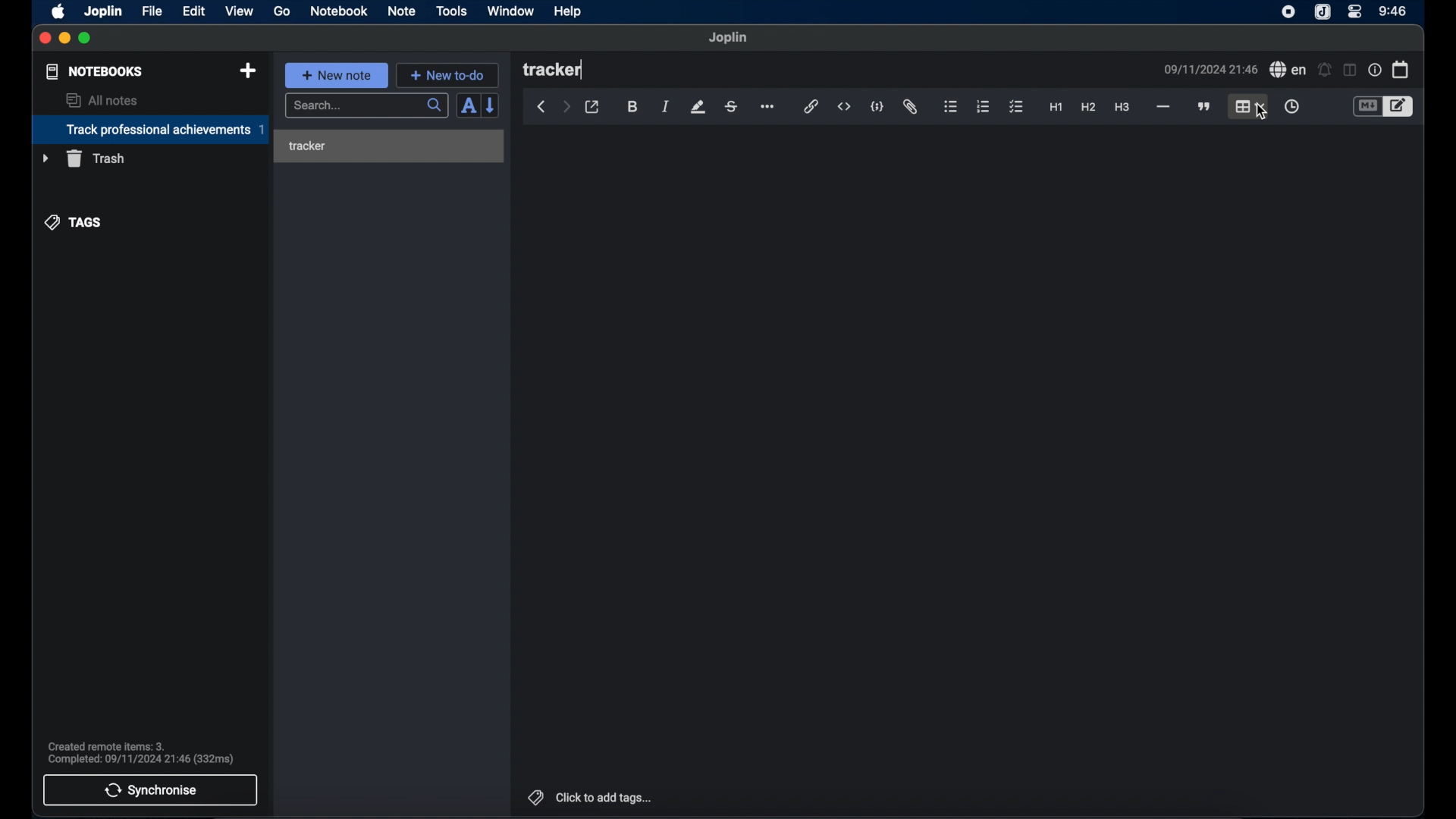 The image size is (1456, 819). I want to click on file, so click(152, 11).